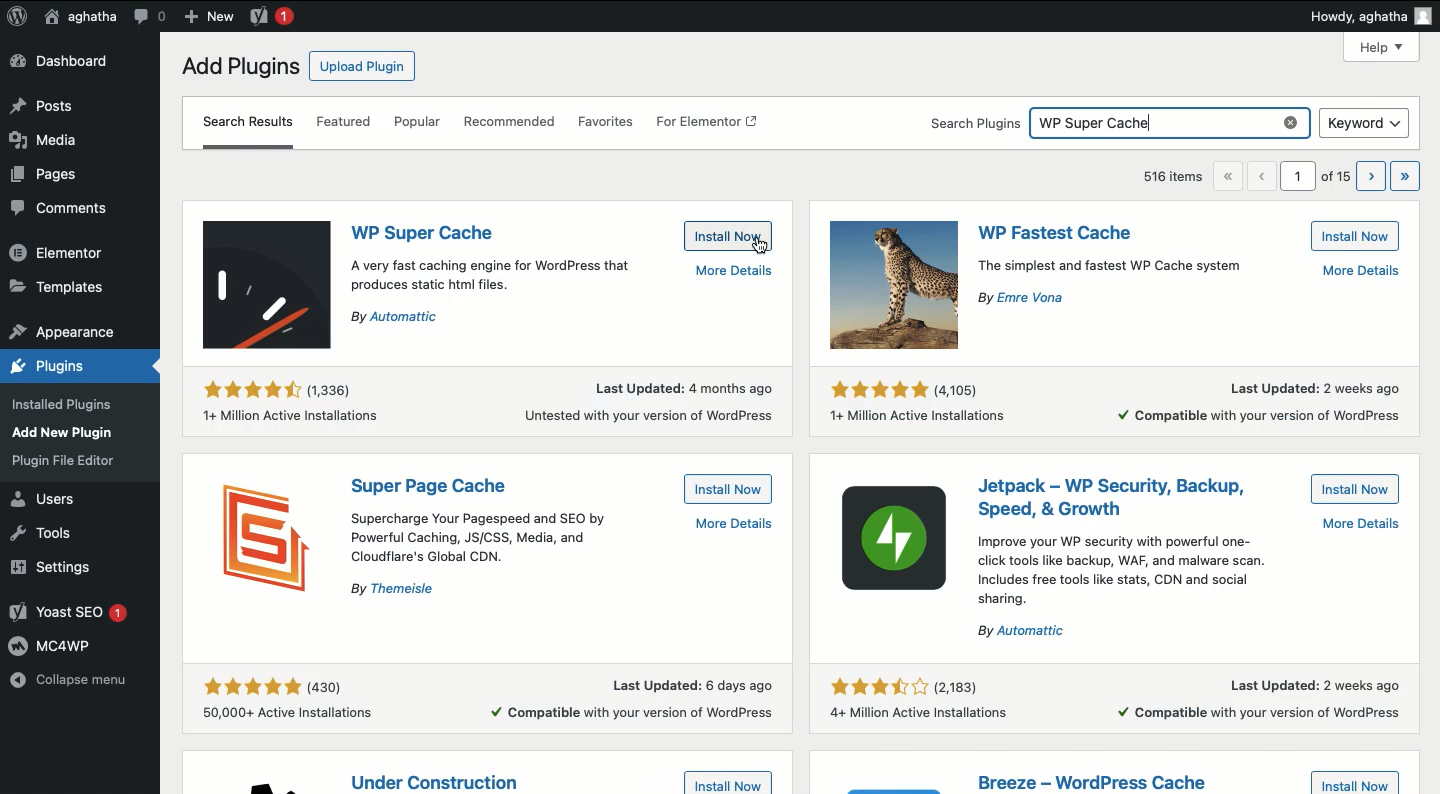 This screenshot has height=794, width=1440. What do you see at coordinates (1165, 123) in the screenshot?
I see `WP super cache` at bounding box center [1165, 123].